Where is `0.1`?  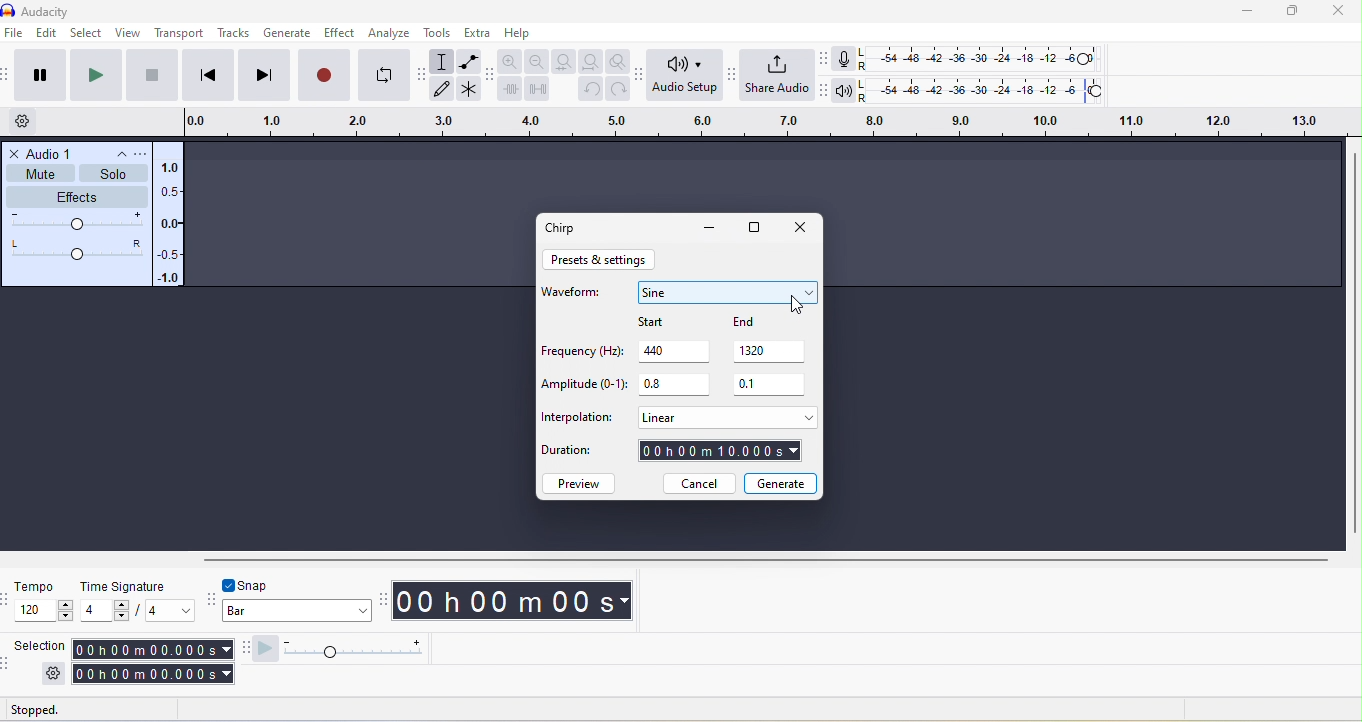
0.1 is located at coordinates (771, 385).